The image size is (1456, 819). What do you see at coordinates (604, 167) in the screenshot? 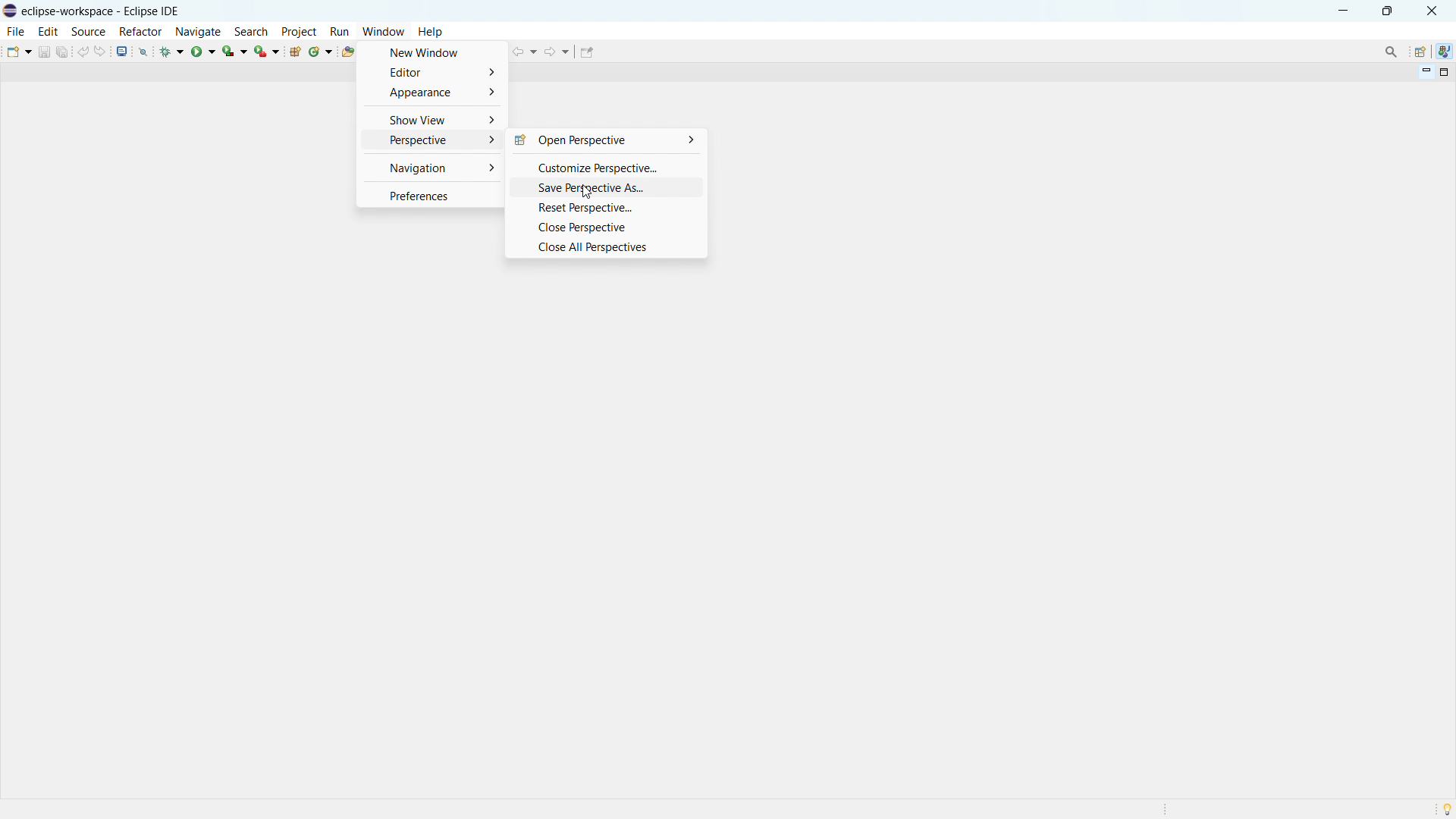
I see `customize perspective` at bounding box center [604, 167].